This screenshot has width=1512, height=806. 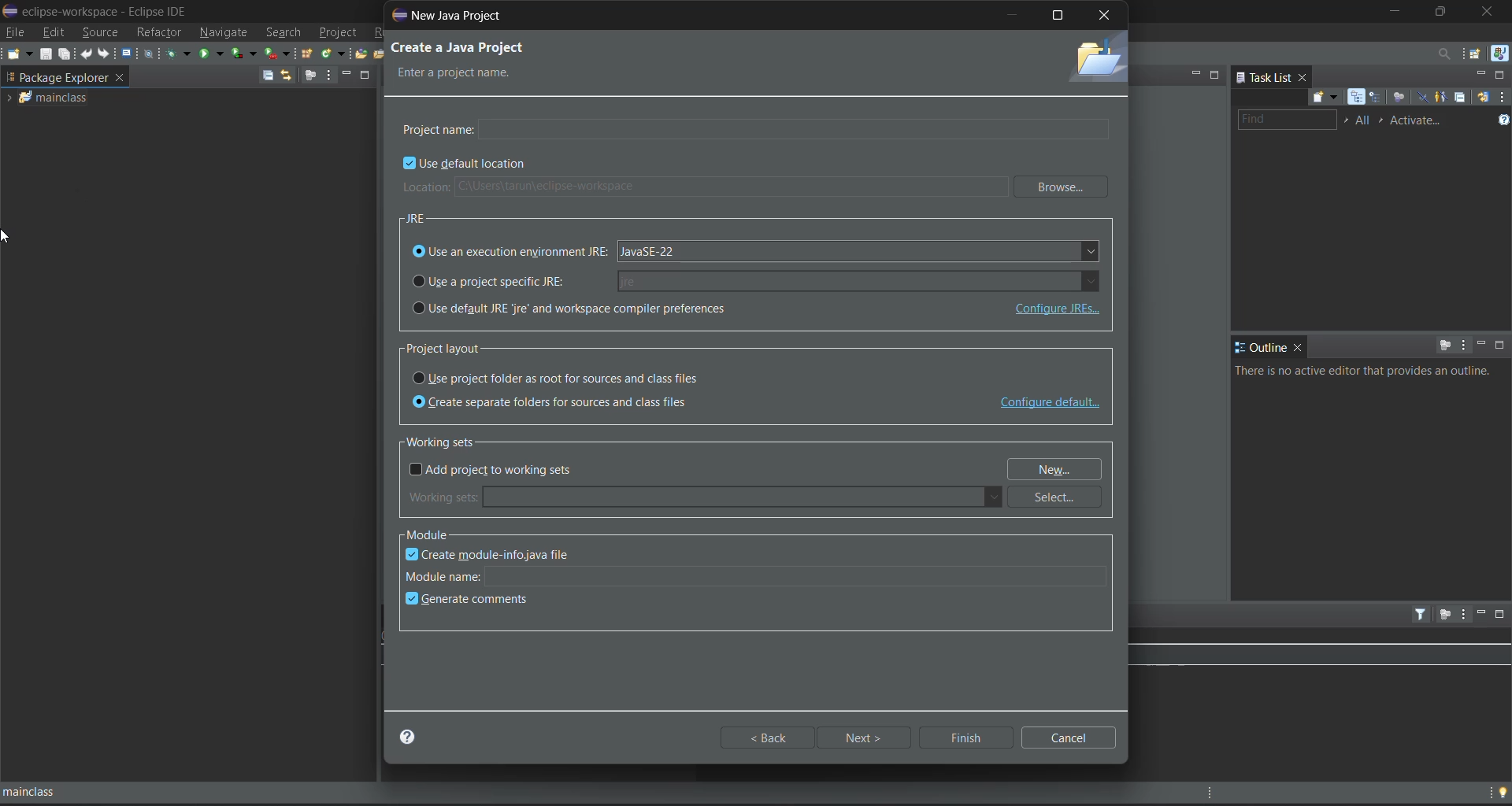 I want to click on minimize, so click(x=1480, y=346).